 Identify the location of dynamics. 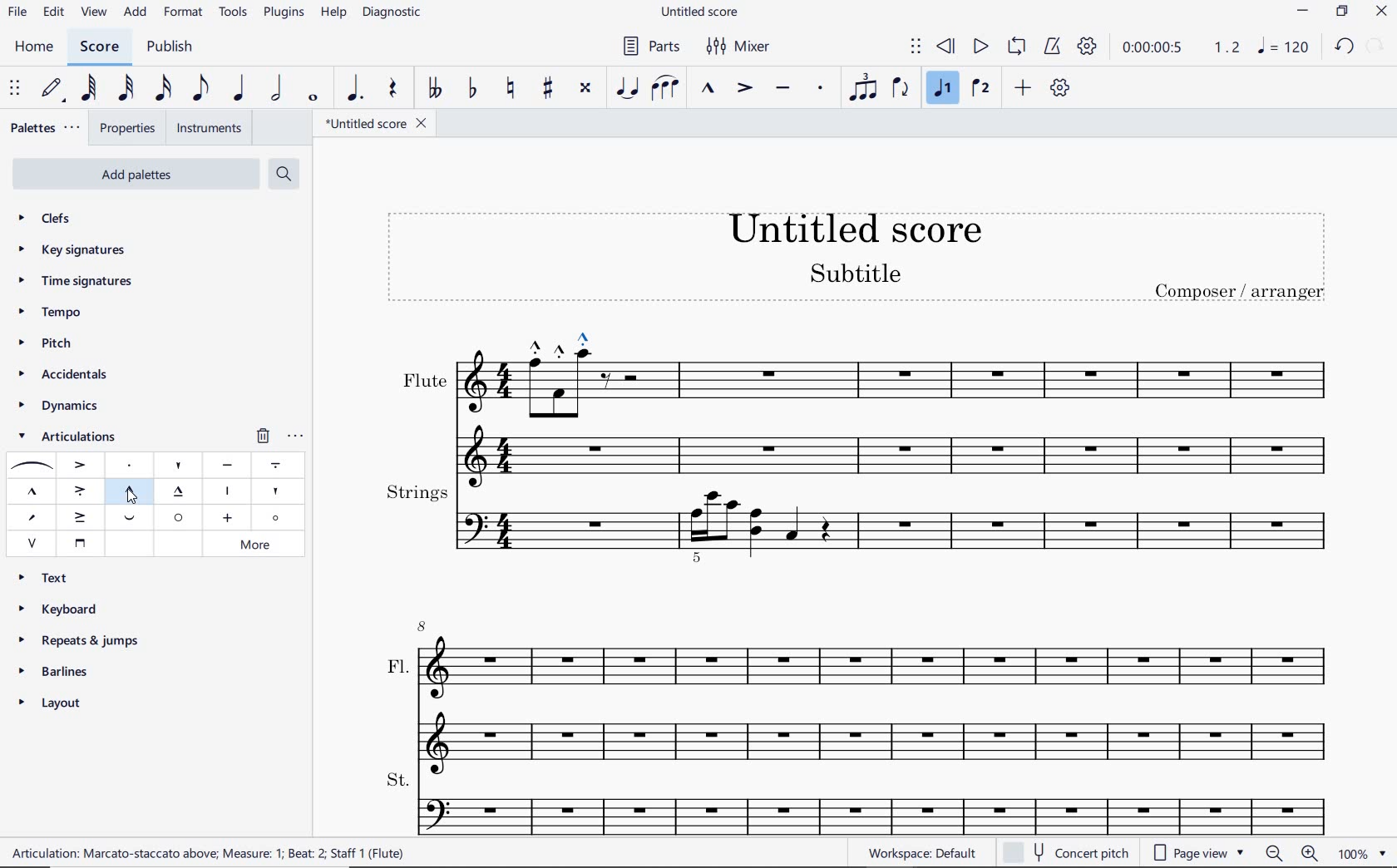
(58, 407).